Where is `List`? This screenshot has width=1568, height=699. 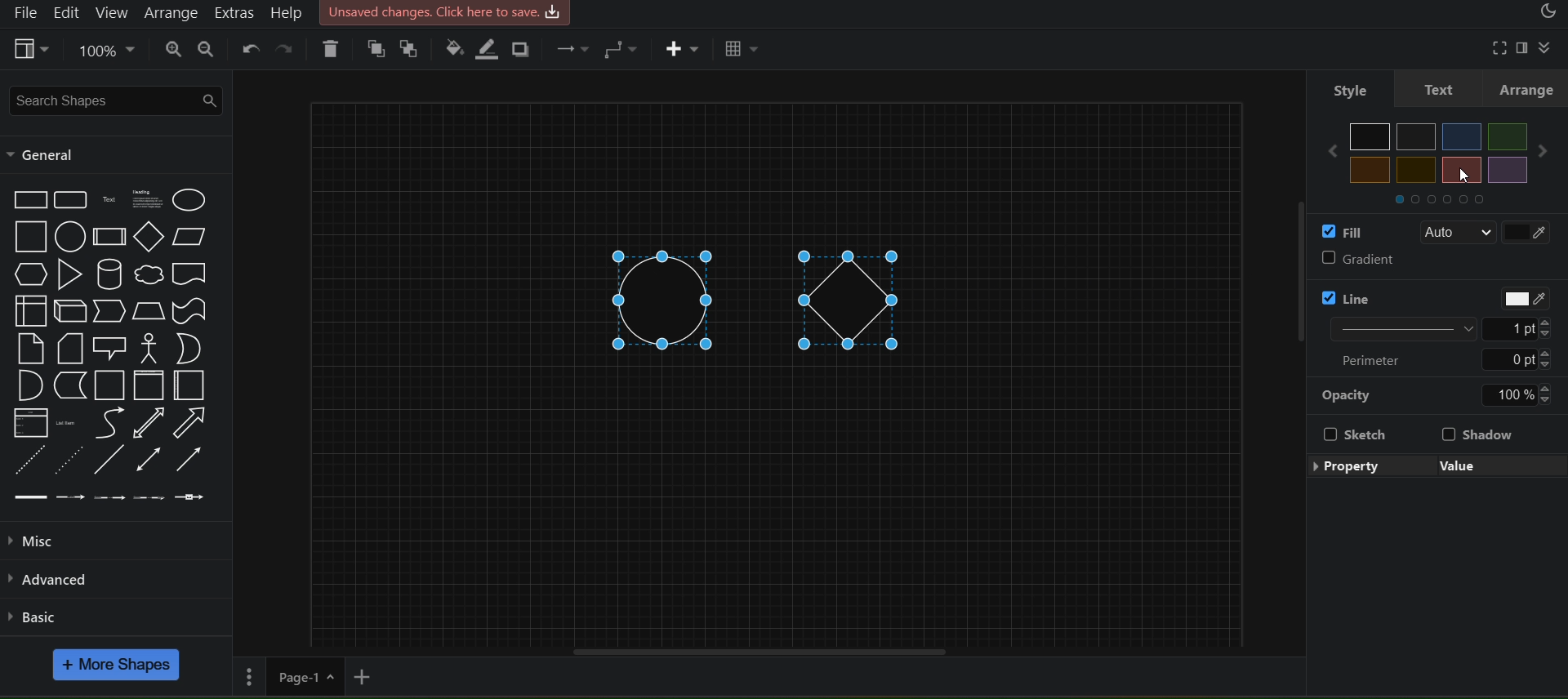
List is located at coordinates (31, 423).